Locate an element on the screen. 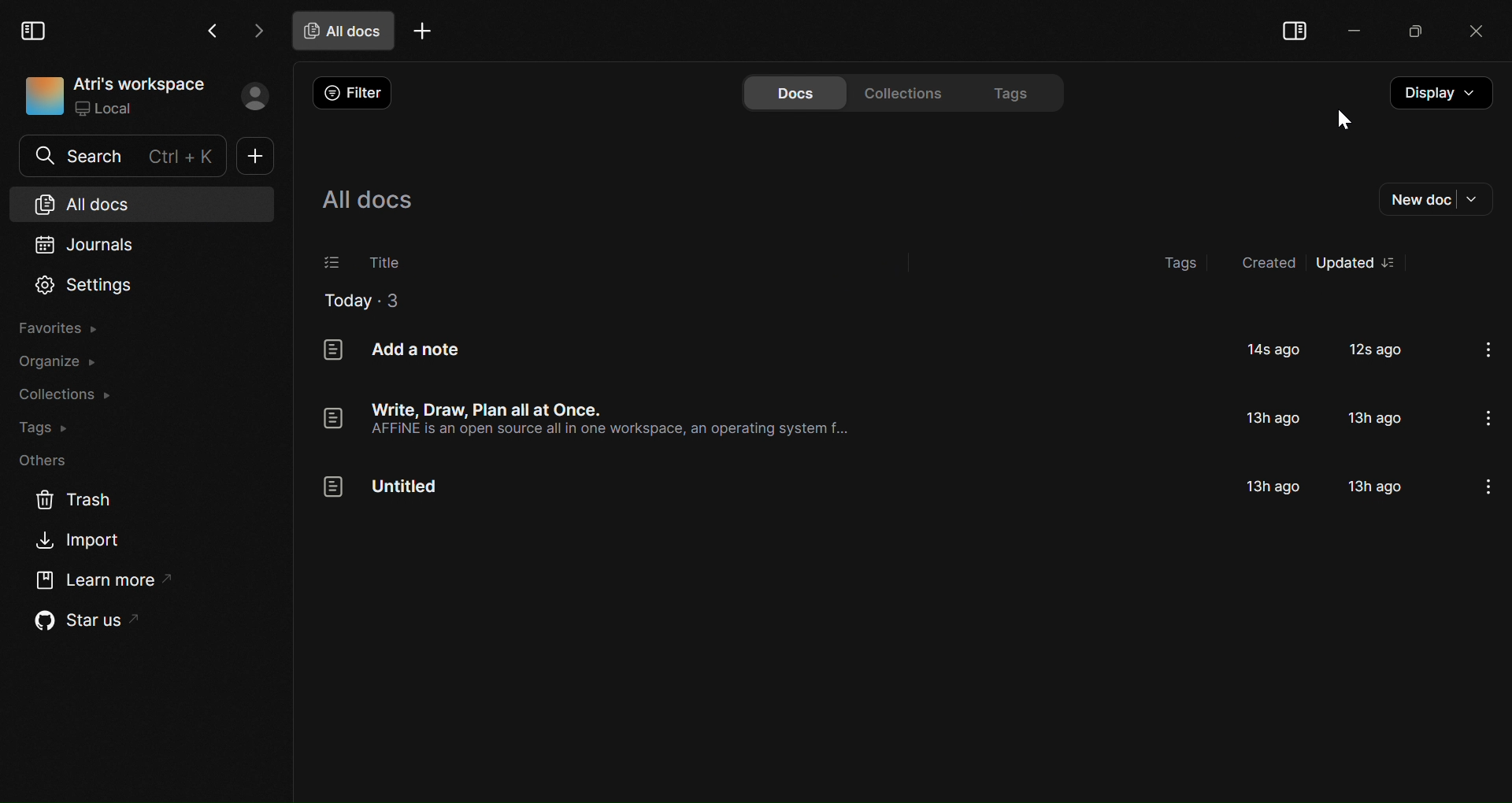 The image size is (1512, 803). icon is located at coordinates (332, 487).